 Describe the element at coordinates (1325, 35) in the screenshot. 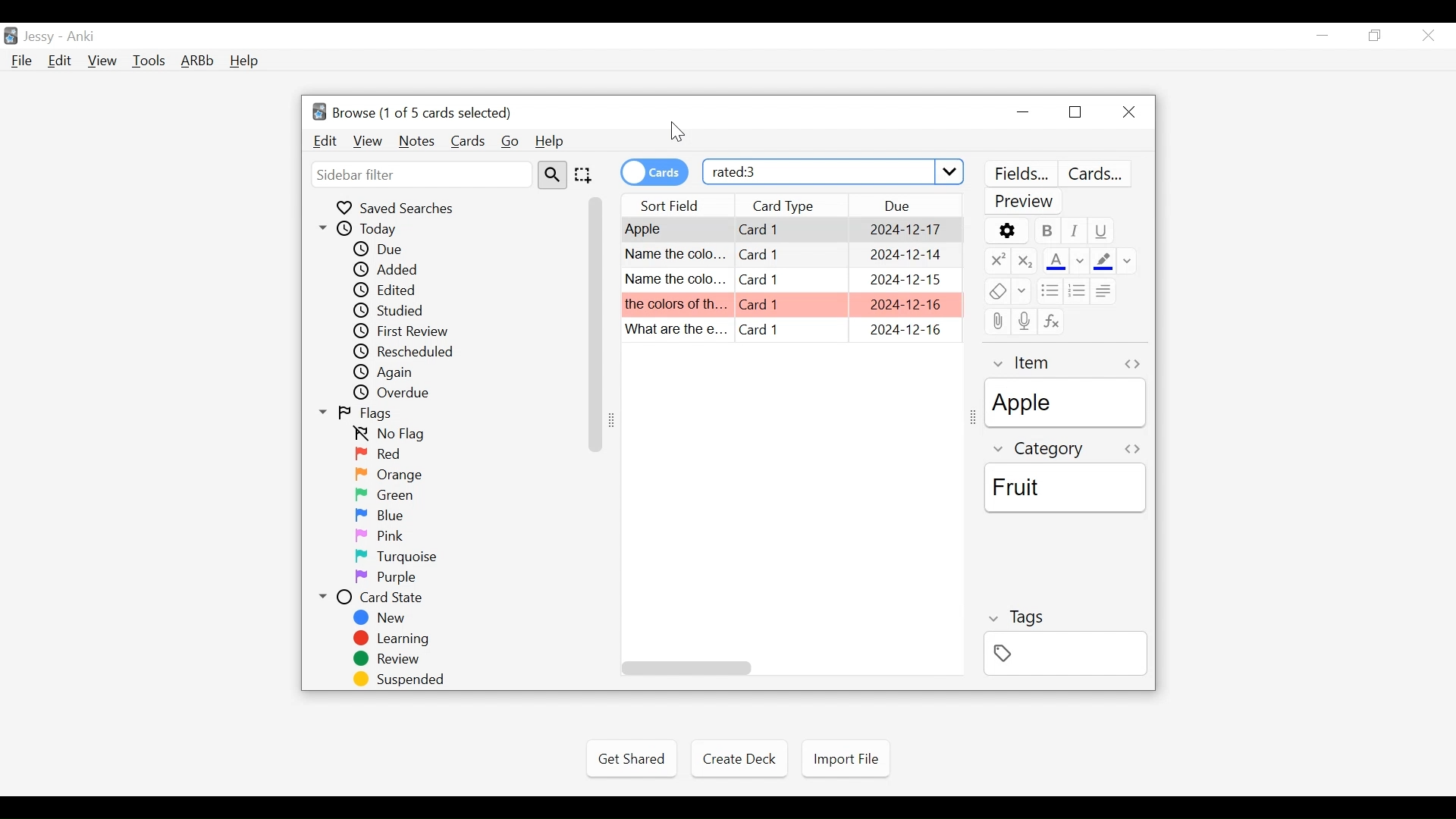

I see `minimize` at that location.